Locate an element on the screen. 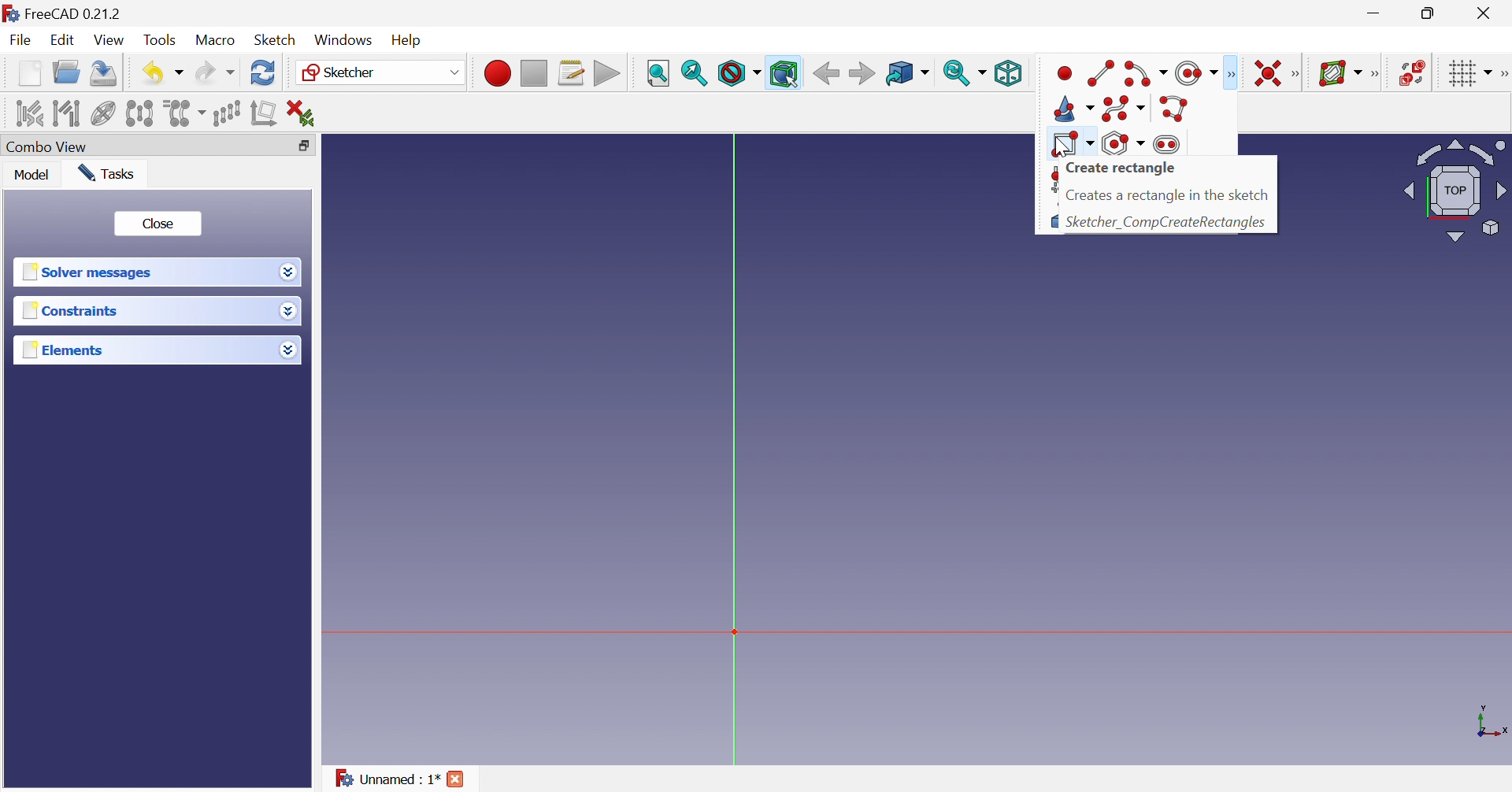 The image size is (1512, 792). Create circle is located at coordinates (1196, 72).